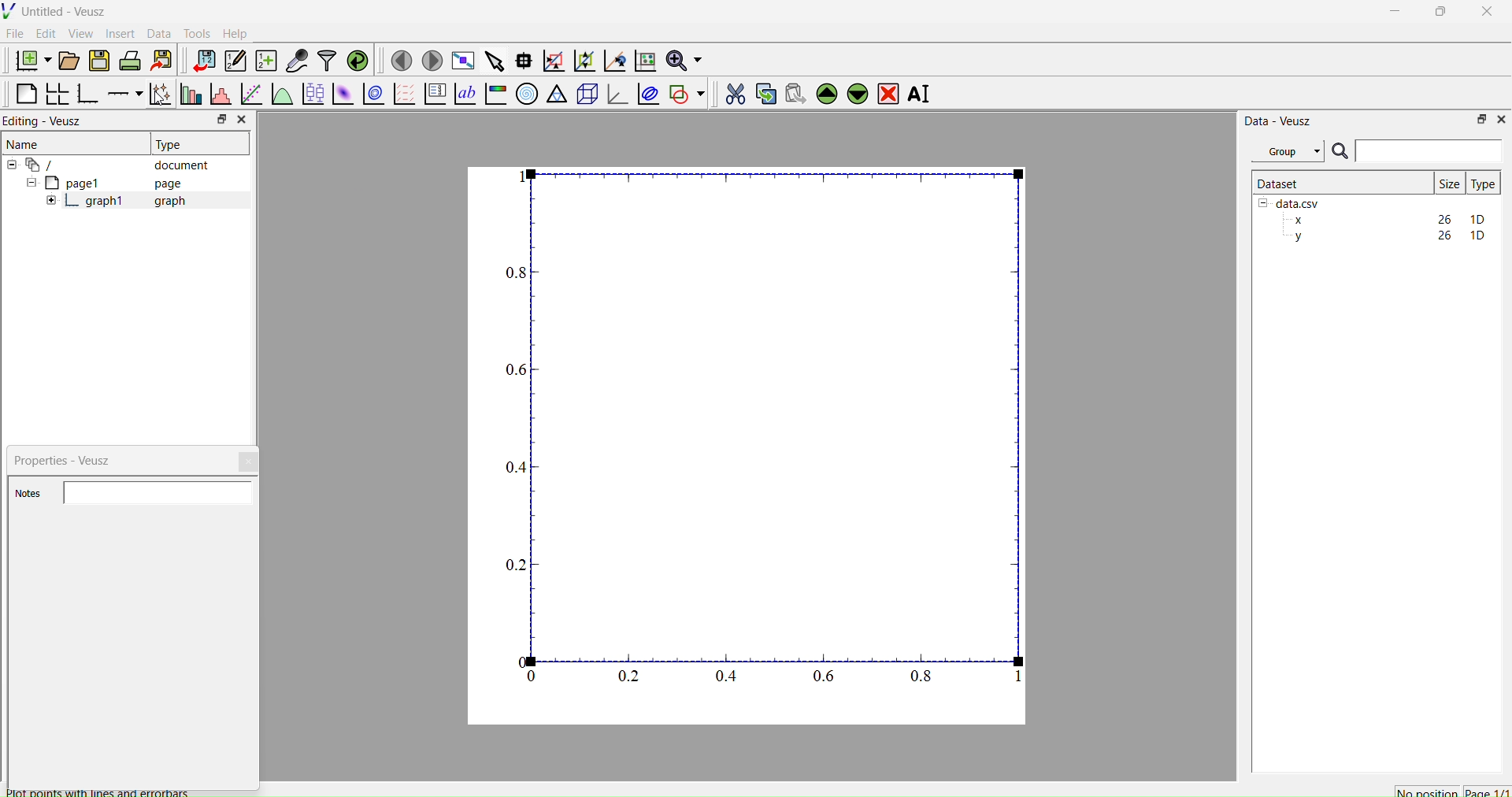  What do you see at coordinates (762, 92) in the screenshot?
I see `Copy` at bounding box center [762, 92].